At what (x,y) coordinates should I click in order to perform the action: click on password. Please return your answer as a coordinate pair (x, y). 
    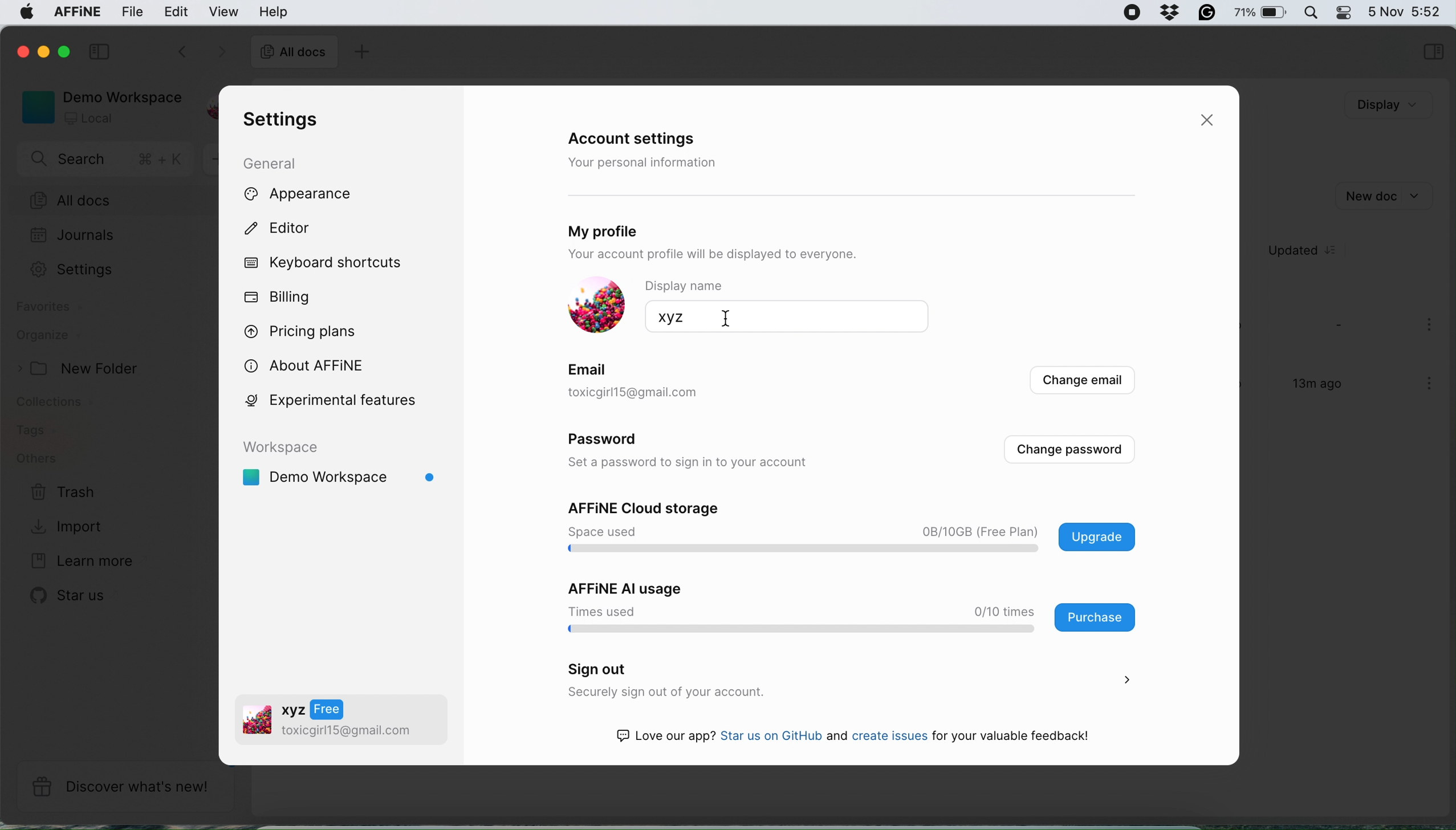
    Looking at the image, I should click on (610, 442).